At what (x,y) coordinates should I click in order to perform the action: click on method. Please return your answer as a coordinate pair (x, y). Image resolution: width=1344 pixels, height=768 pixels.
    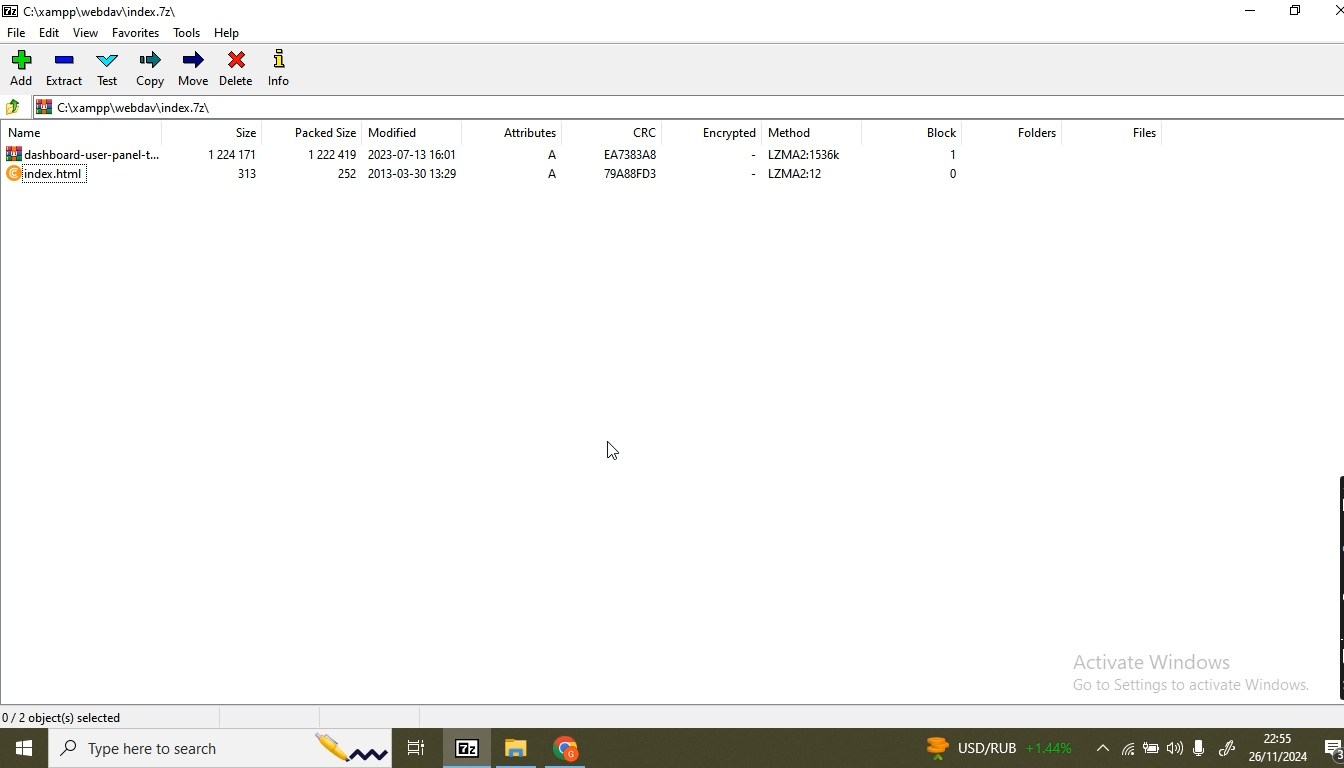
    Looking at the image, I should click on (801, 130).